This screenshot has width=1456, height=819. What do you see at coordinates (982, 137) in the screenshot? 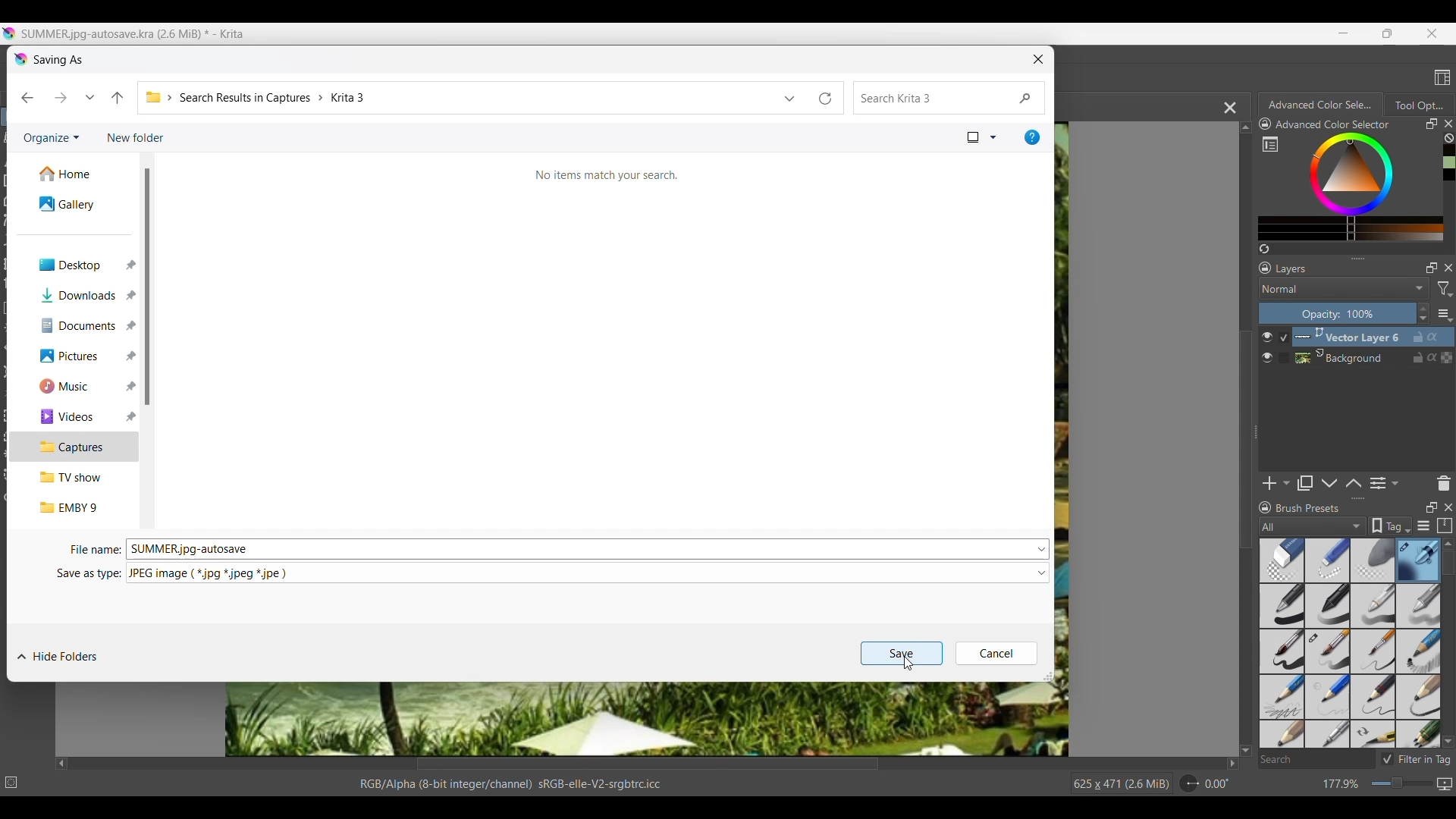
I see `Current sort and other sort options` at bounding box center [982, 137].